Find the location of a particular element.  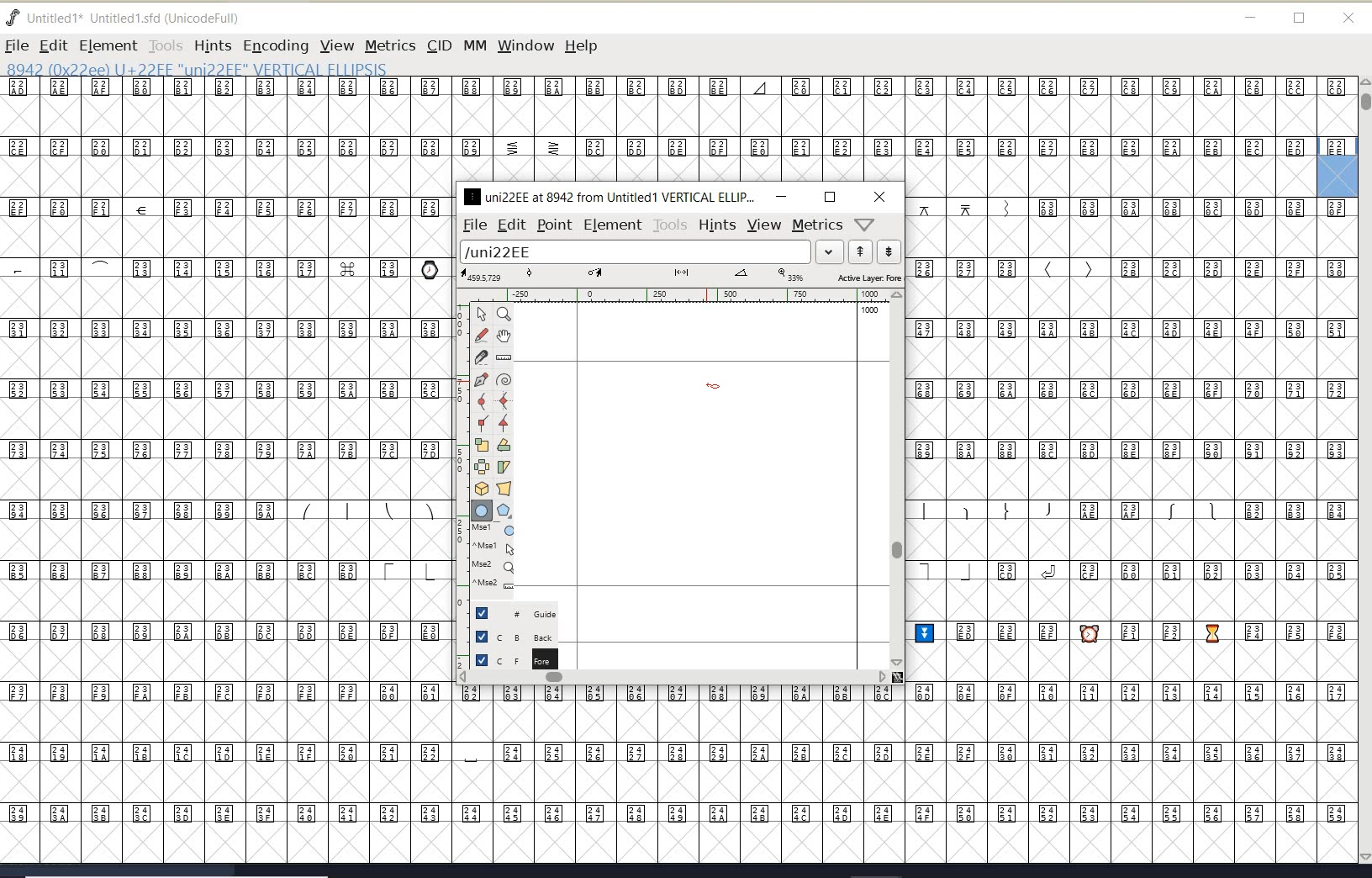

SCALE is located at coordinates (460, 478).